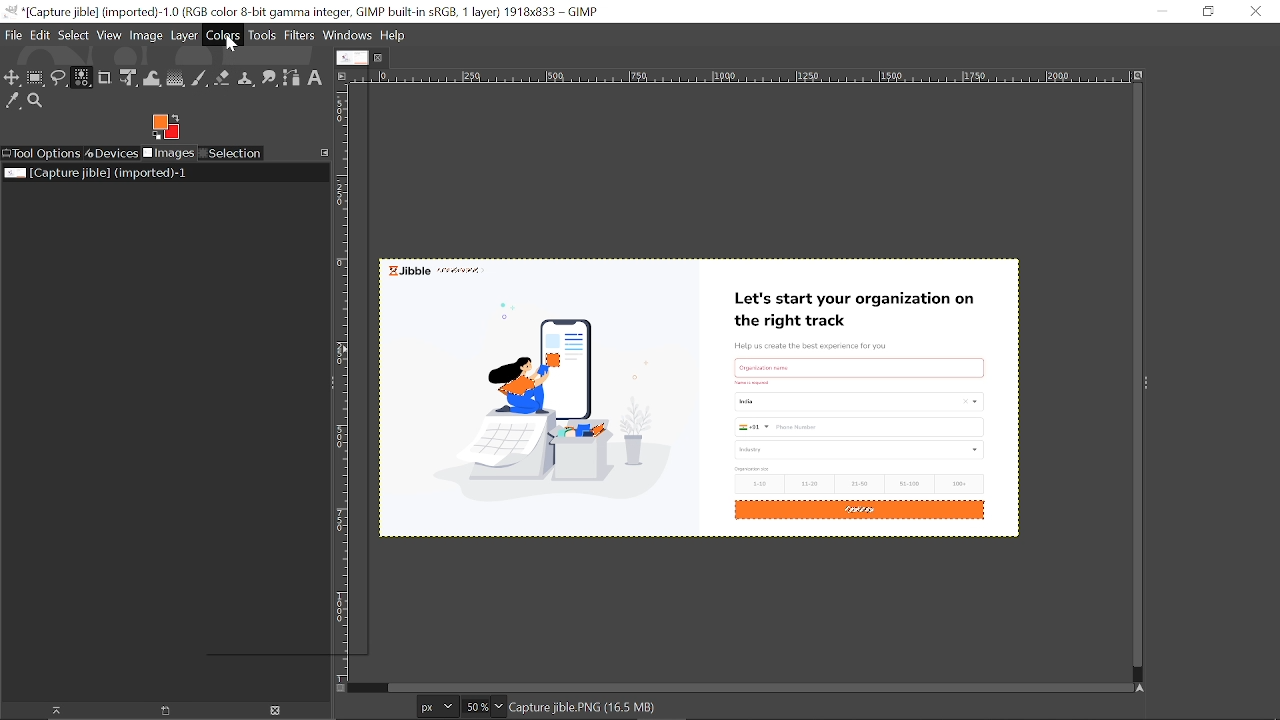  I want to click on Image, so click(147, 36).